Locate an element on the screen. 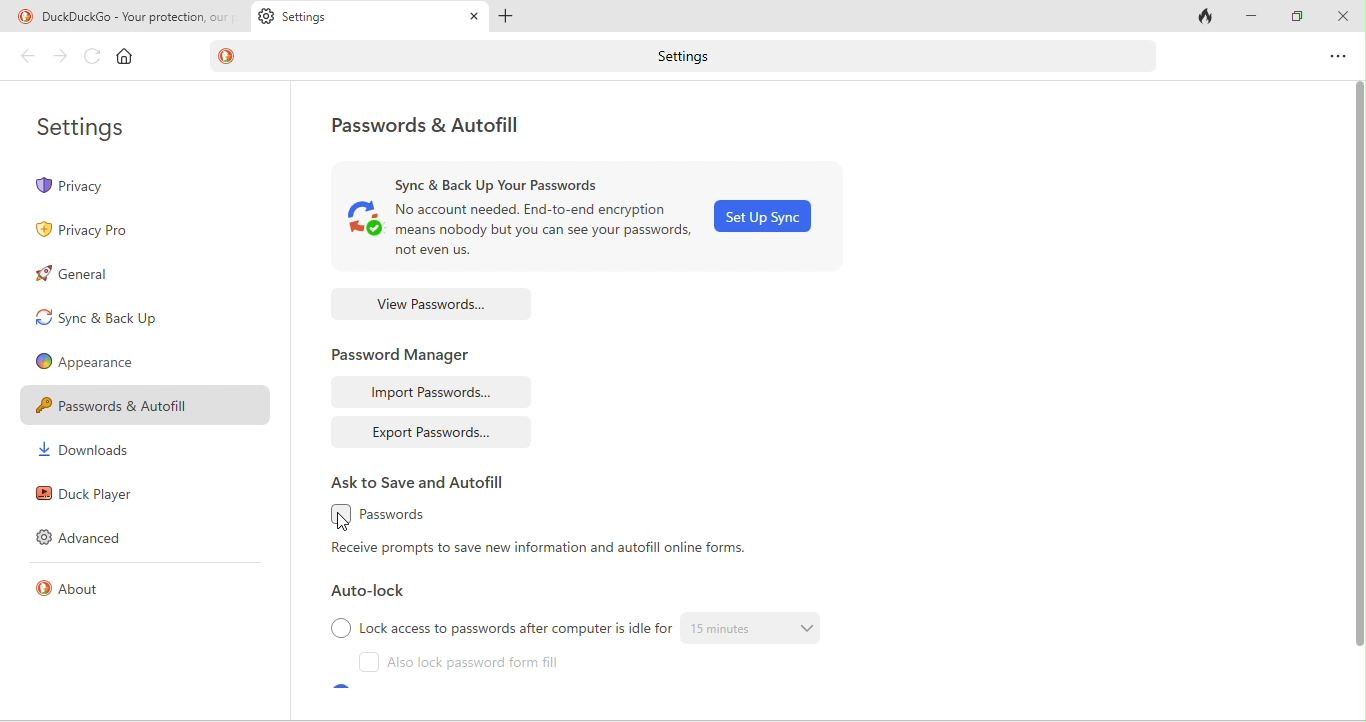 The height and width of the screenshot is (722, 1366). vertical scroll bar is located at coordinates (1357, 370).